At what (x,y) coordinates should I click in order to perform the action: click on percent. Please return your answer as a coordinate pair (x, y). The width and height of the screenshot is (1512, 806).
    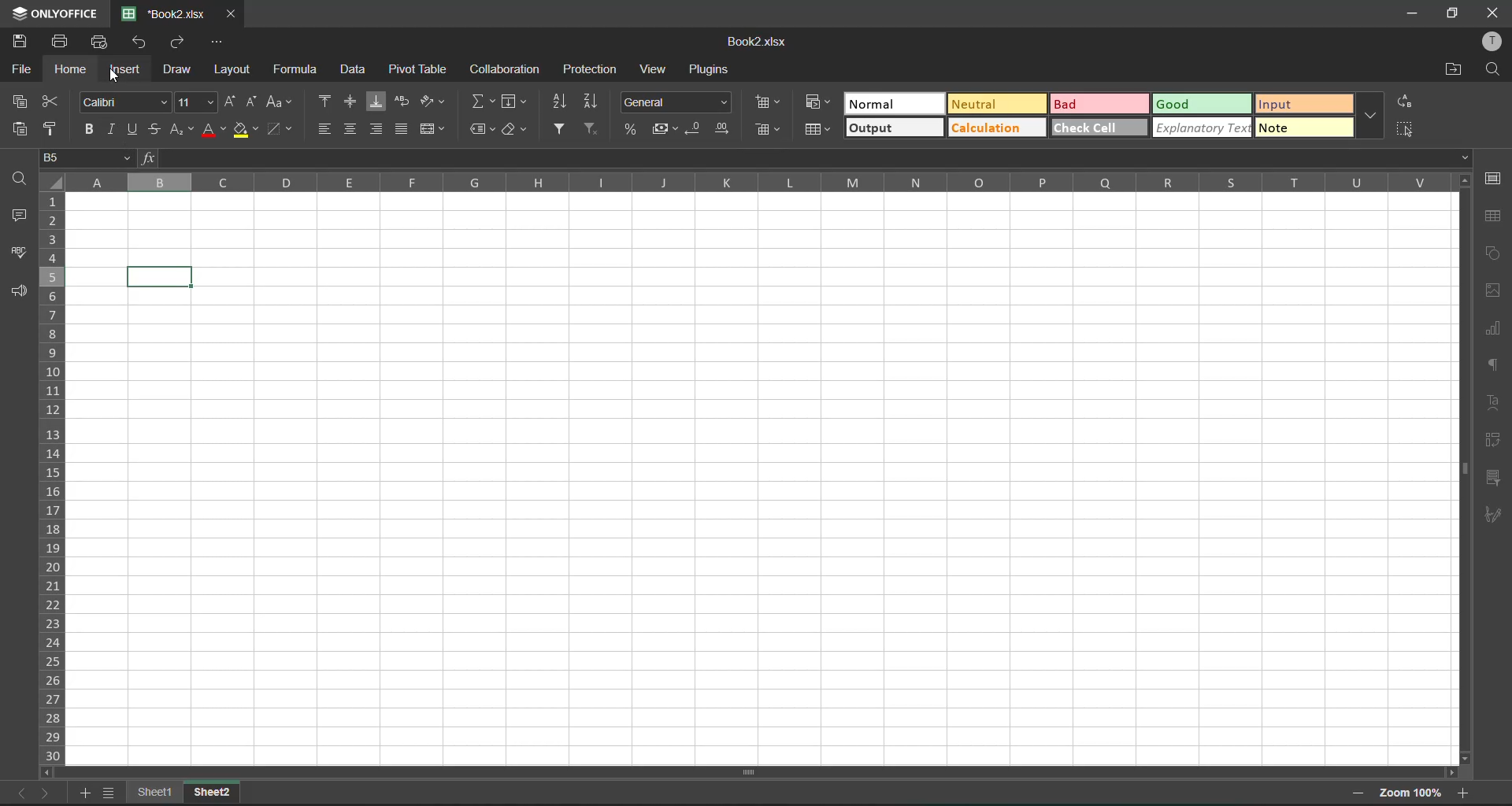
    Looking at the image, I should click on (632, 129).